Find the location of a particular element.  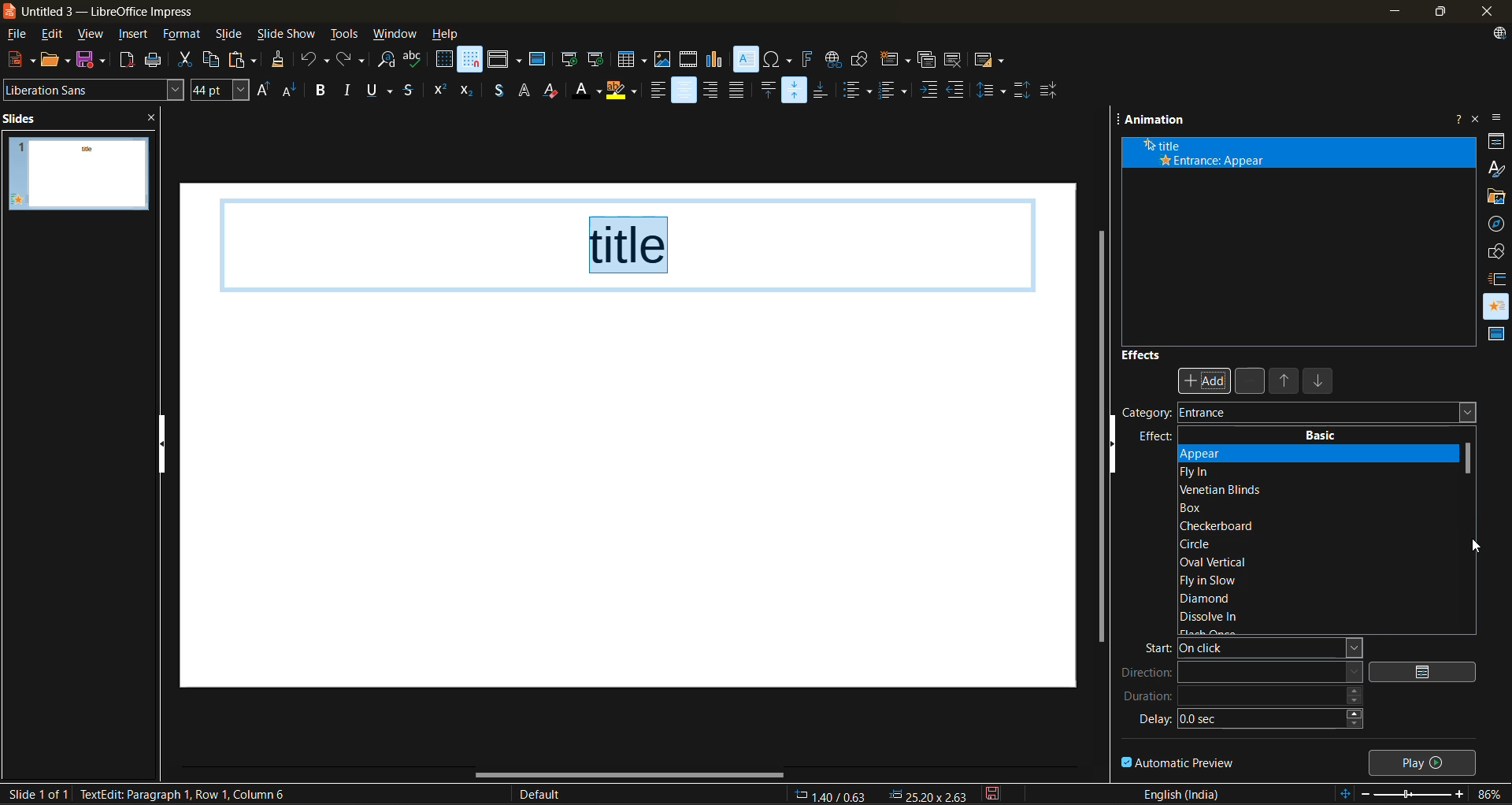

text language is located at coordinates (1182, 793).